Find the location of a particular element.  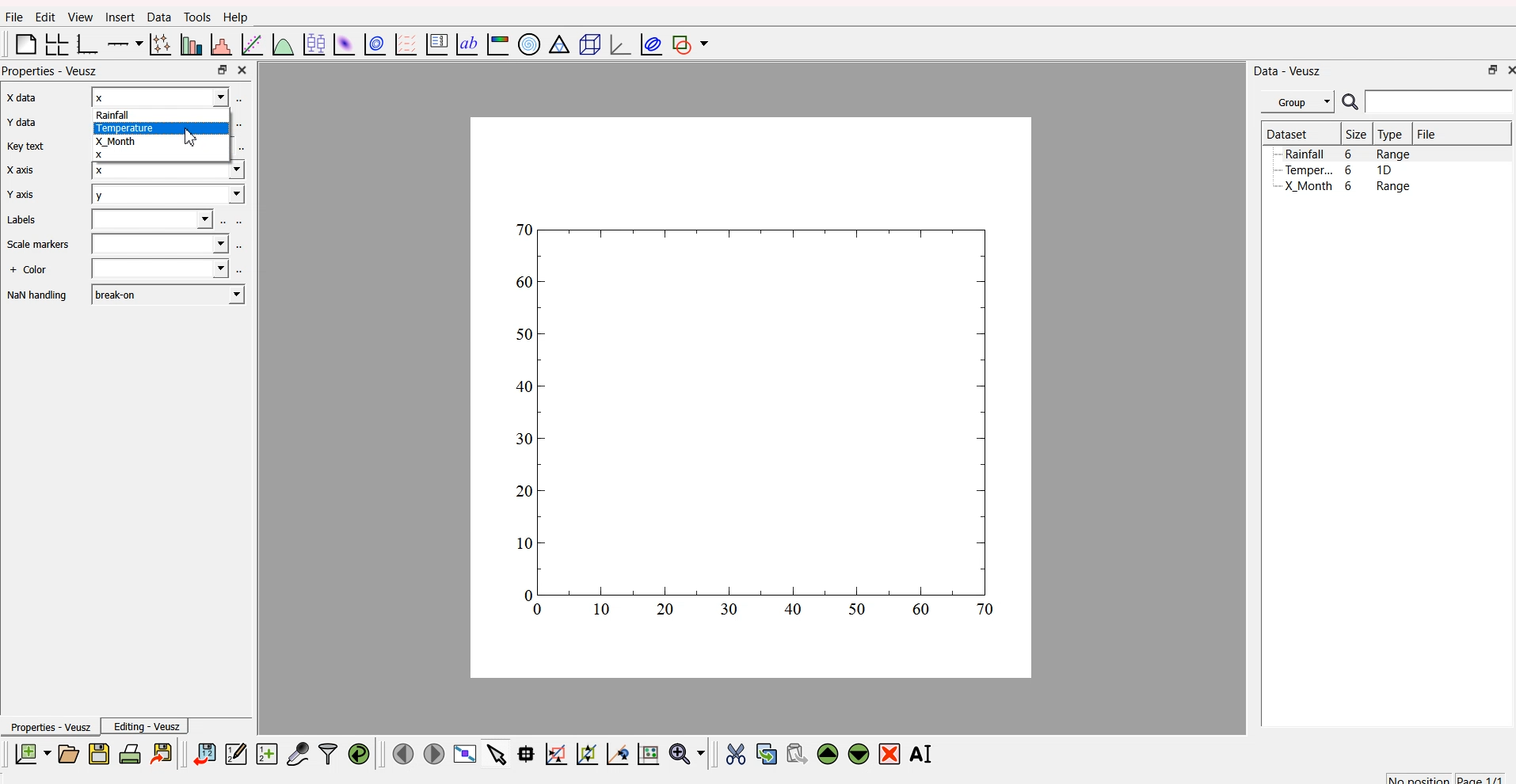

capture a dataset is located at coordinates (297, 751).